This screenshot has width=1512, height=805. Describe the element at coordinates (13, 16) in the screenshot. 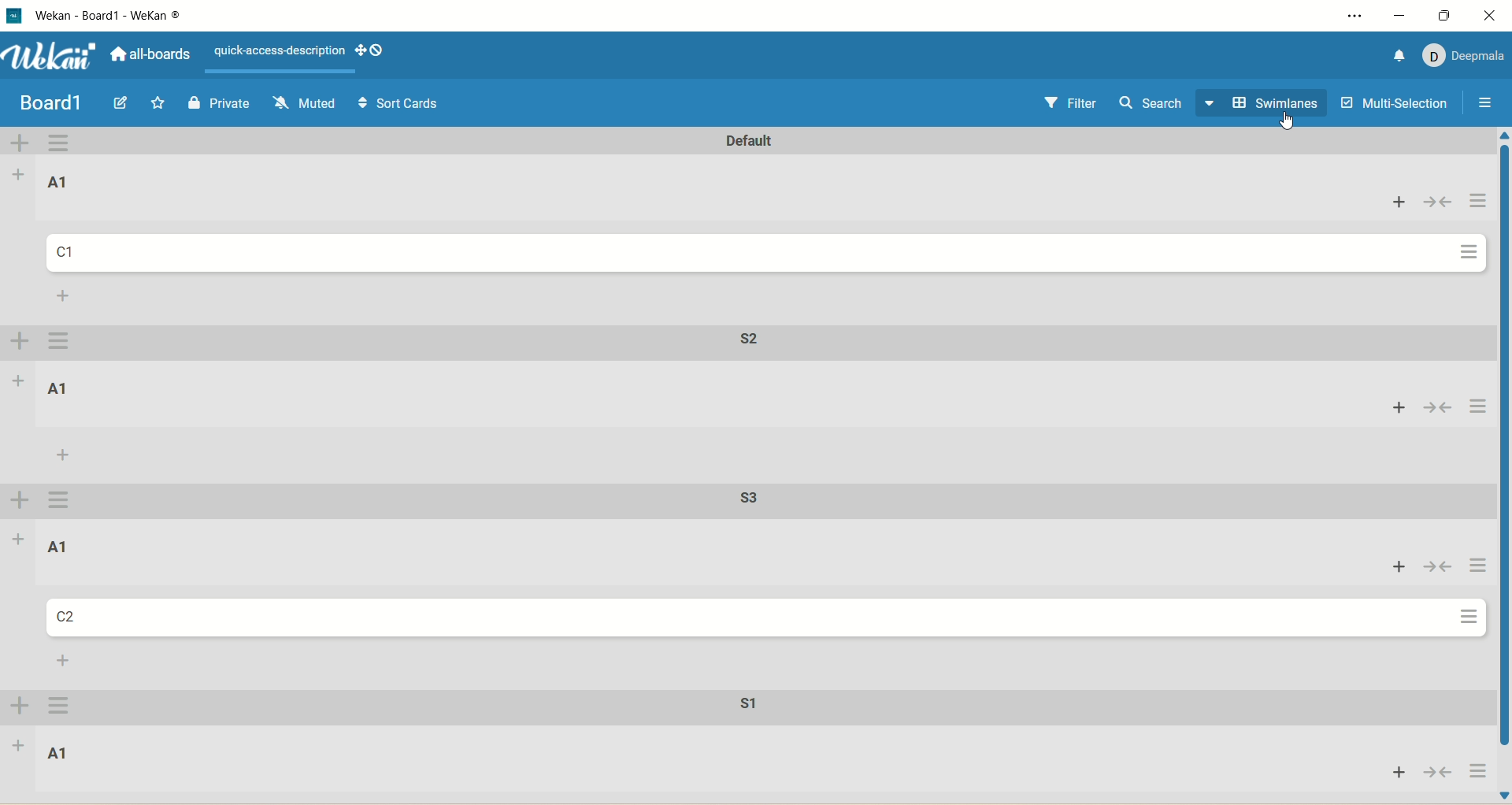

I see `logo` at that location.